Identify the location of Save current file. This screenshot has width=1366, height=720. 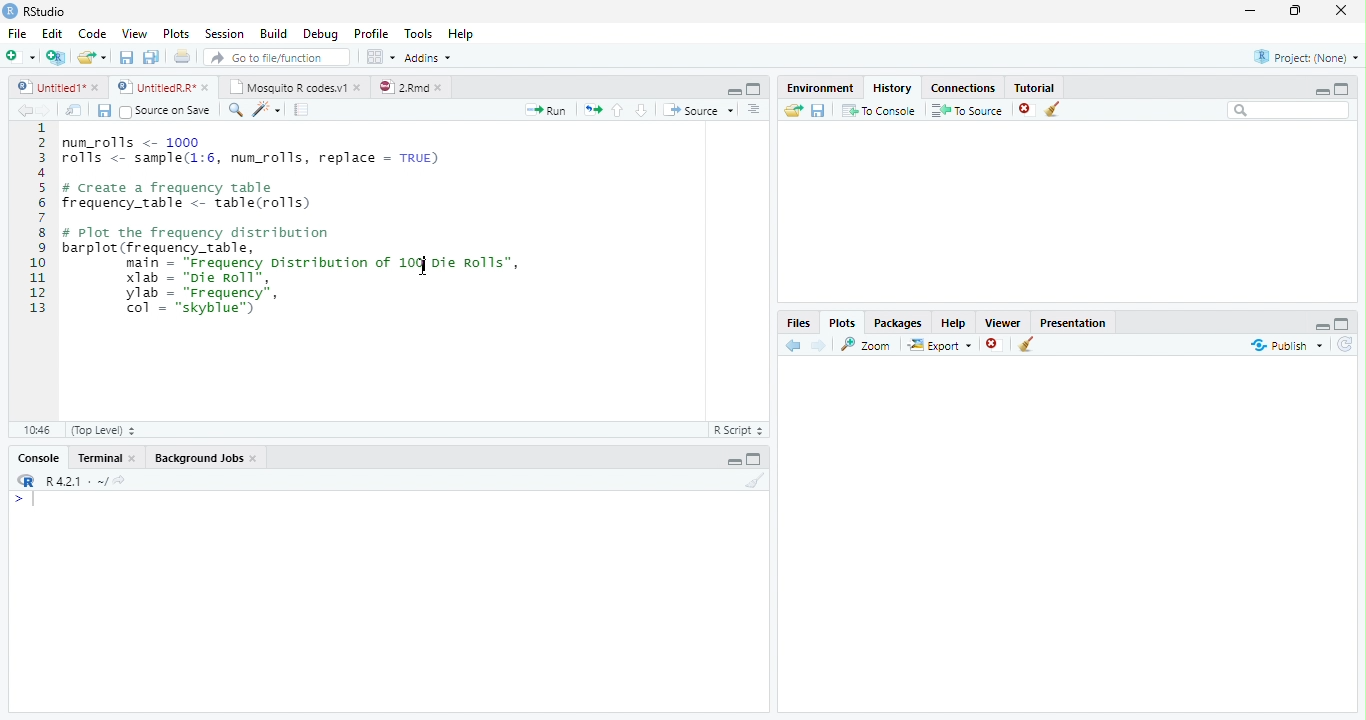
(126, 57).